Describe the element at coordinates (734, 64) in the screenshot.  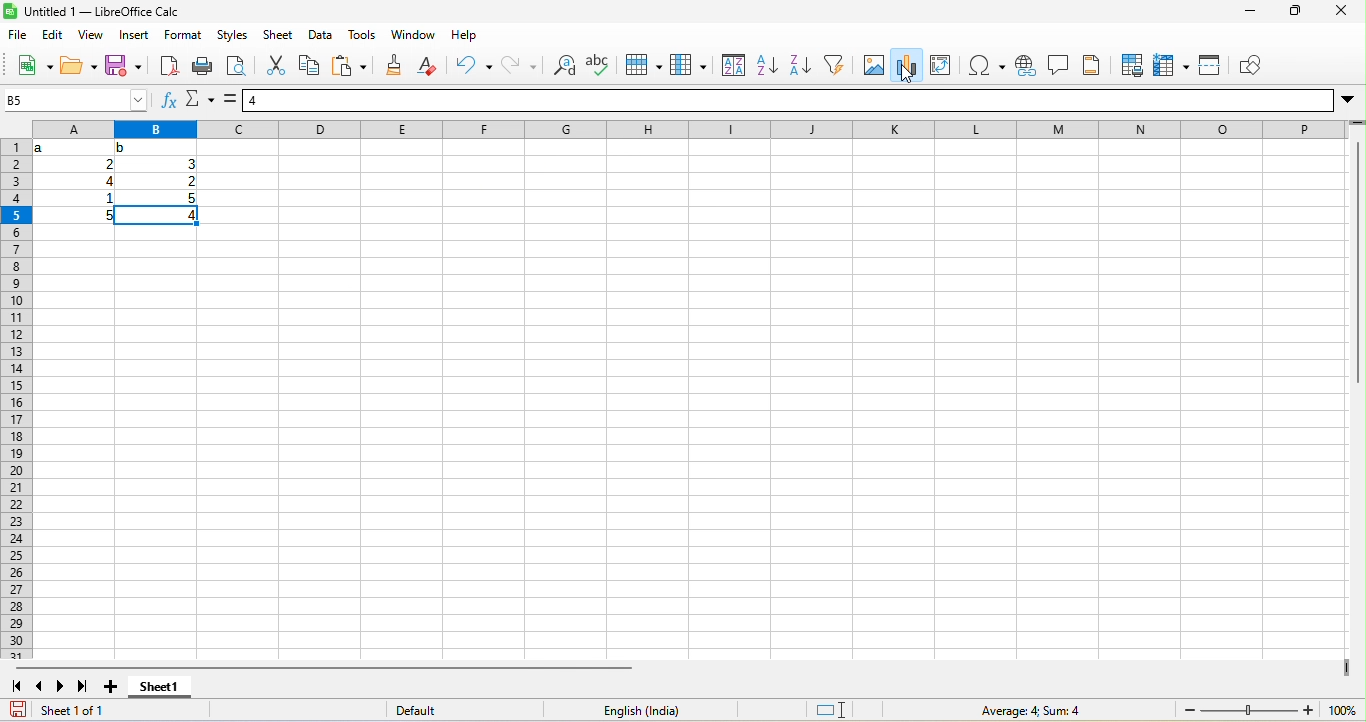
I see `sort` at that location.